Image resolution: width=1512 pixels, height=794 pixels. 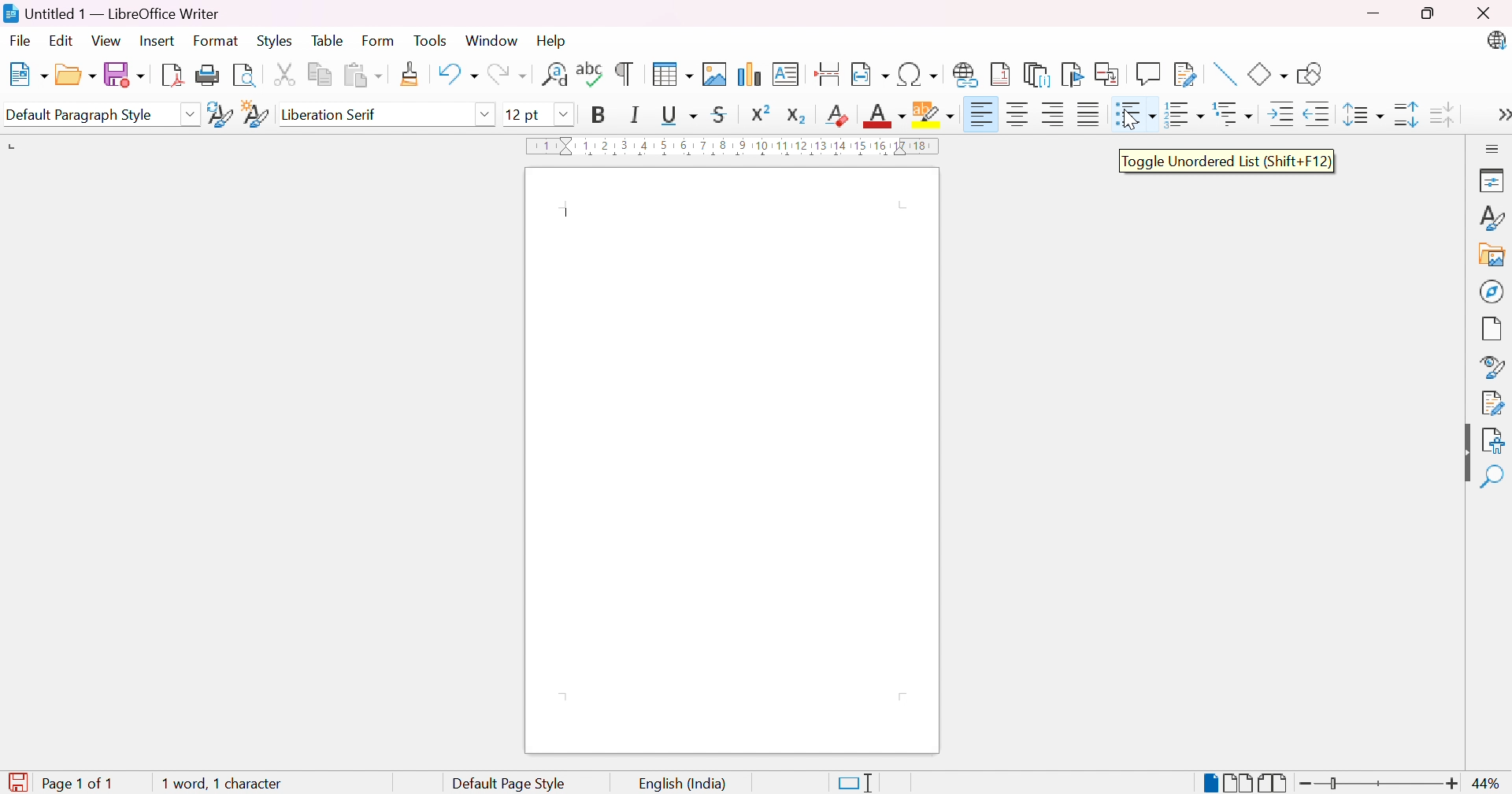 What do you see at coordinates (23, 42) in the screenshot?
I see `File` at bounding box center [23, 42].